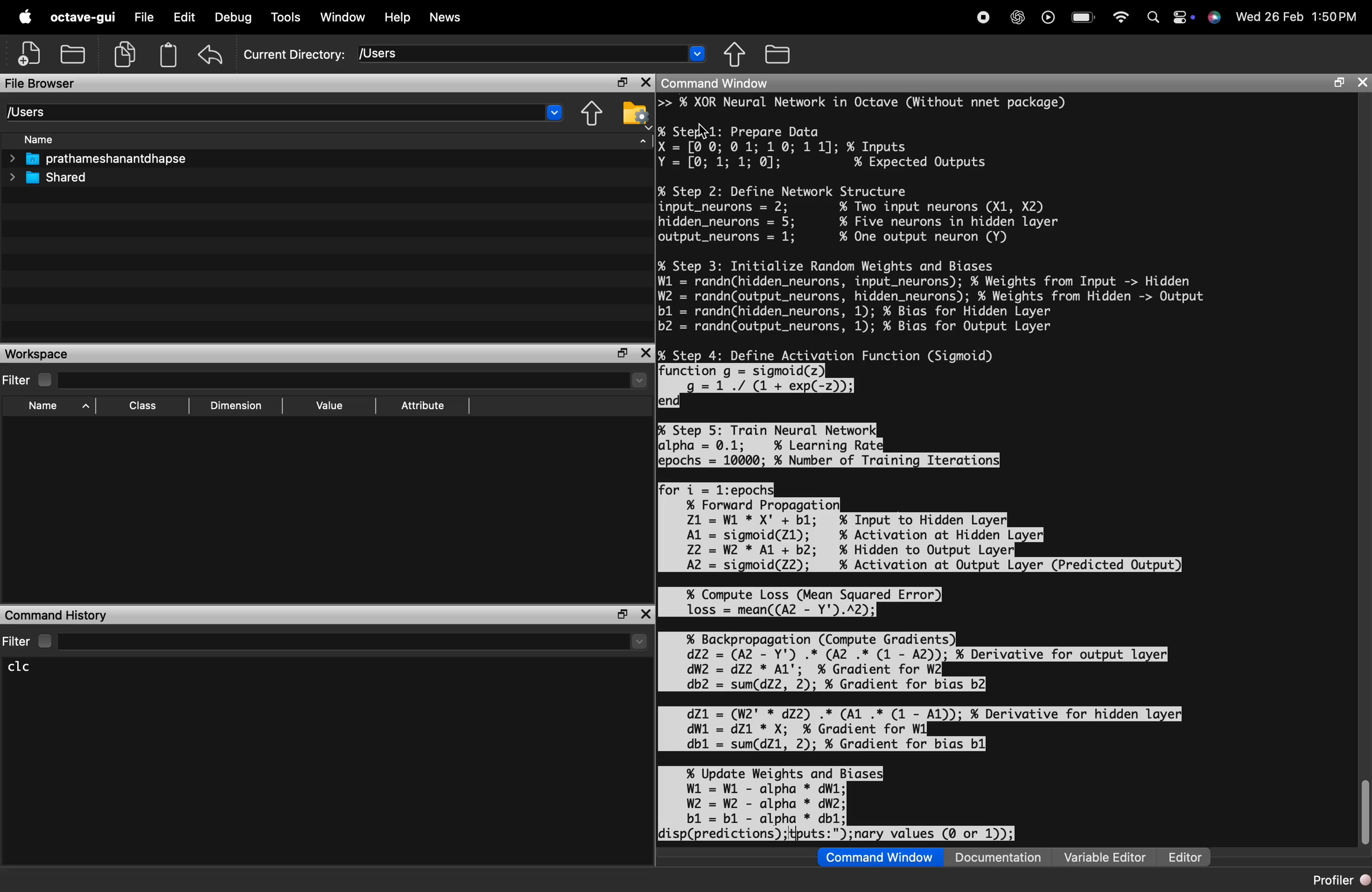  What do you see at coordinates (1363, 812) in the screenshot?
I see `Scroll bar` at bounding box center [1363, 812].